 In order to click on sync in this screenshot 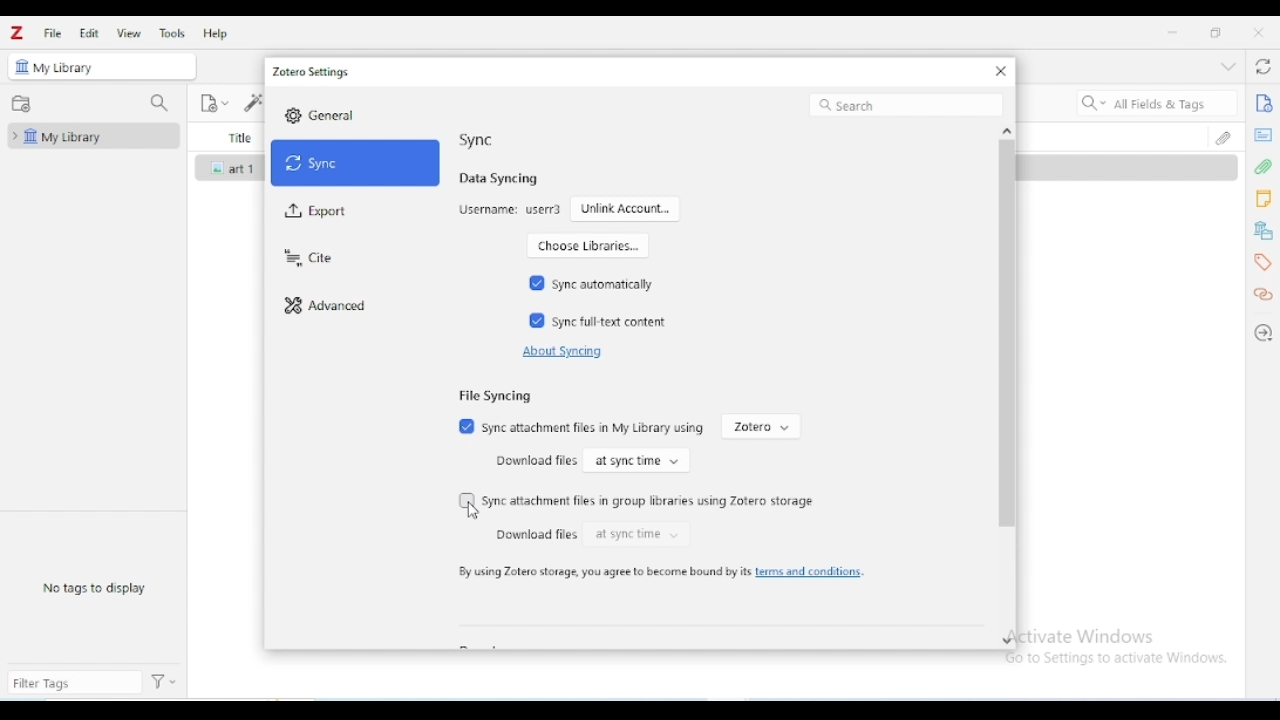, I will do `click(356, 163)`.